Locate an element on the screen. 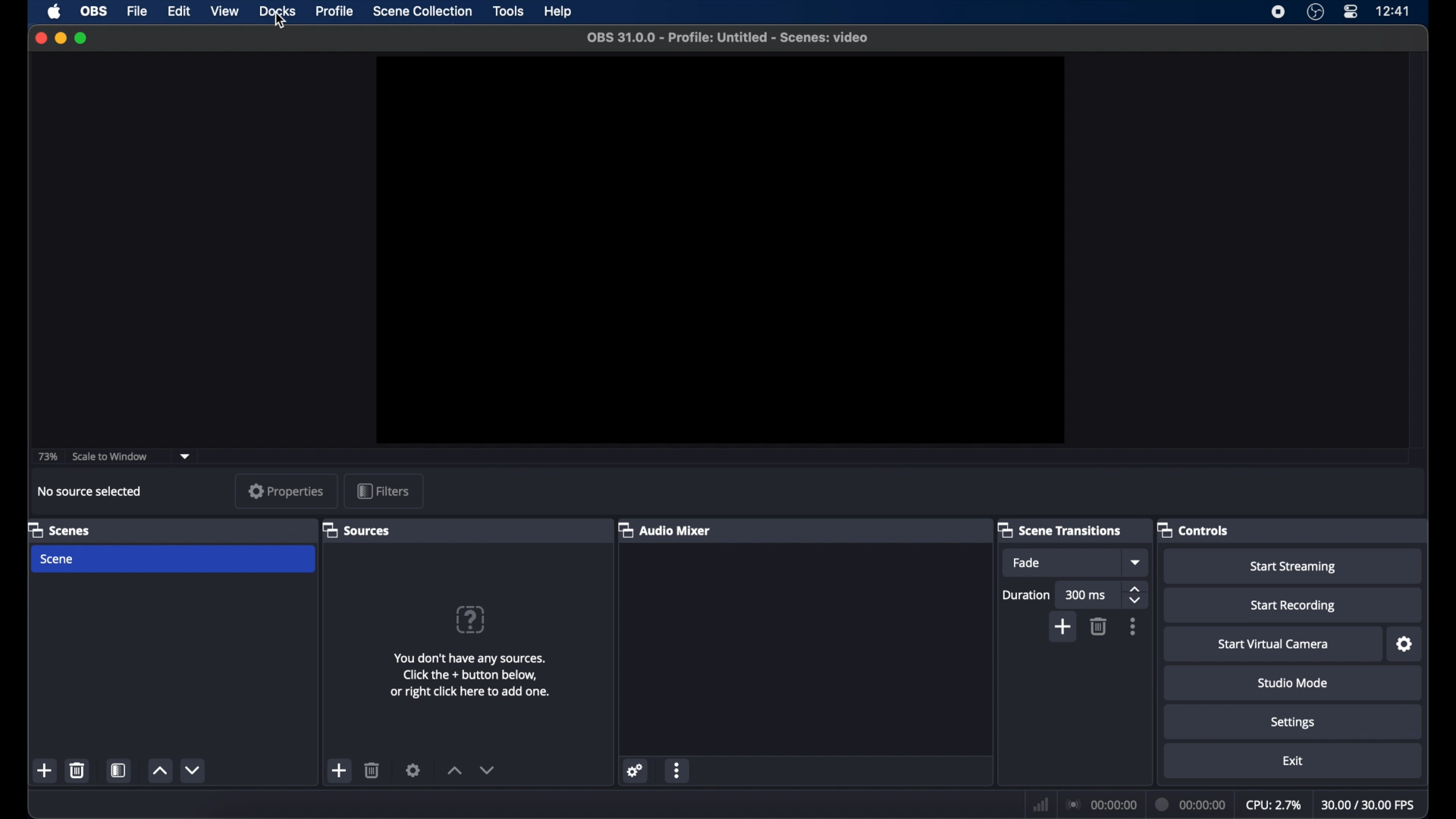 This screenshot has width=1456, height=819. increment is located at coordinates (453, 770).